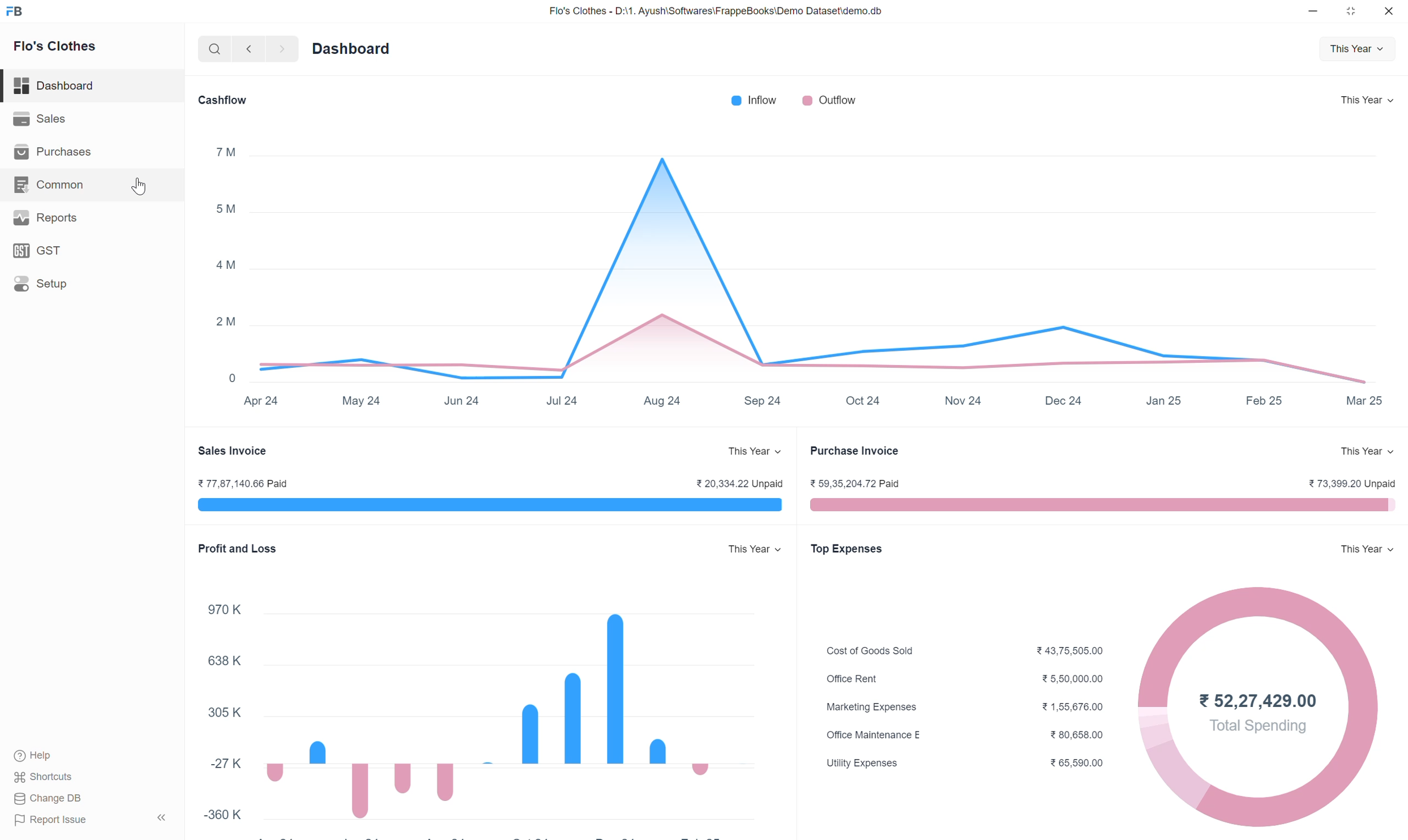  I want to click on Flo's Clothes, so click(56, 48).